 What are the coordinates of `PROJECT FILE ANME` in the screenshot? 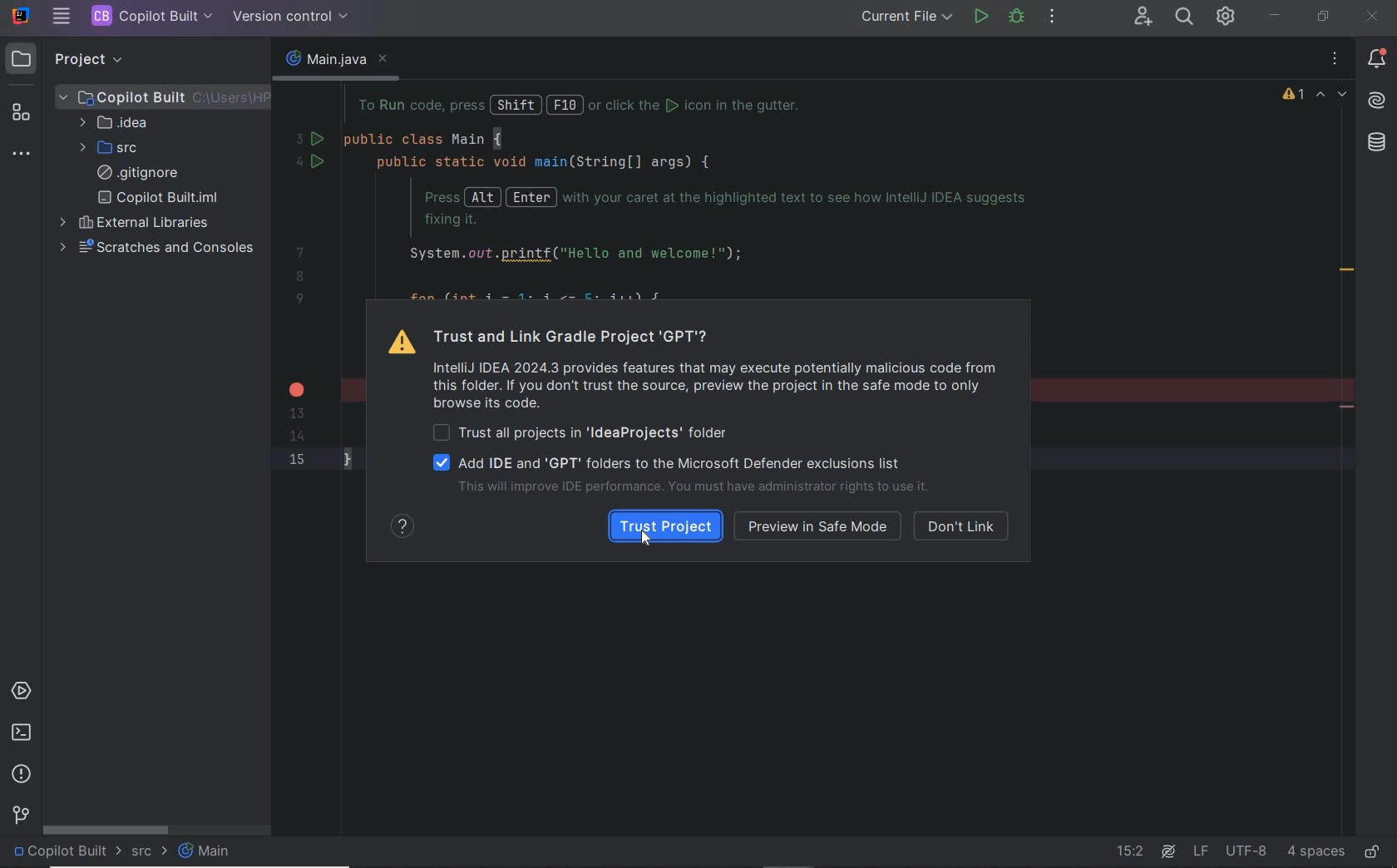 It's located at (163, 96).